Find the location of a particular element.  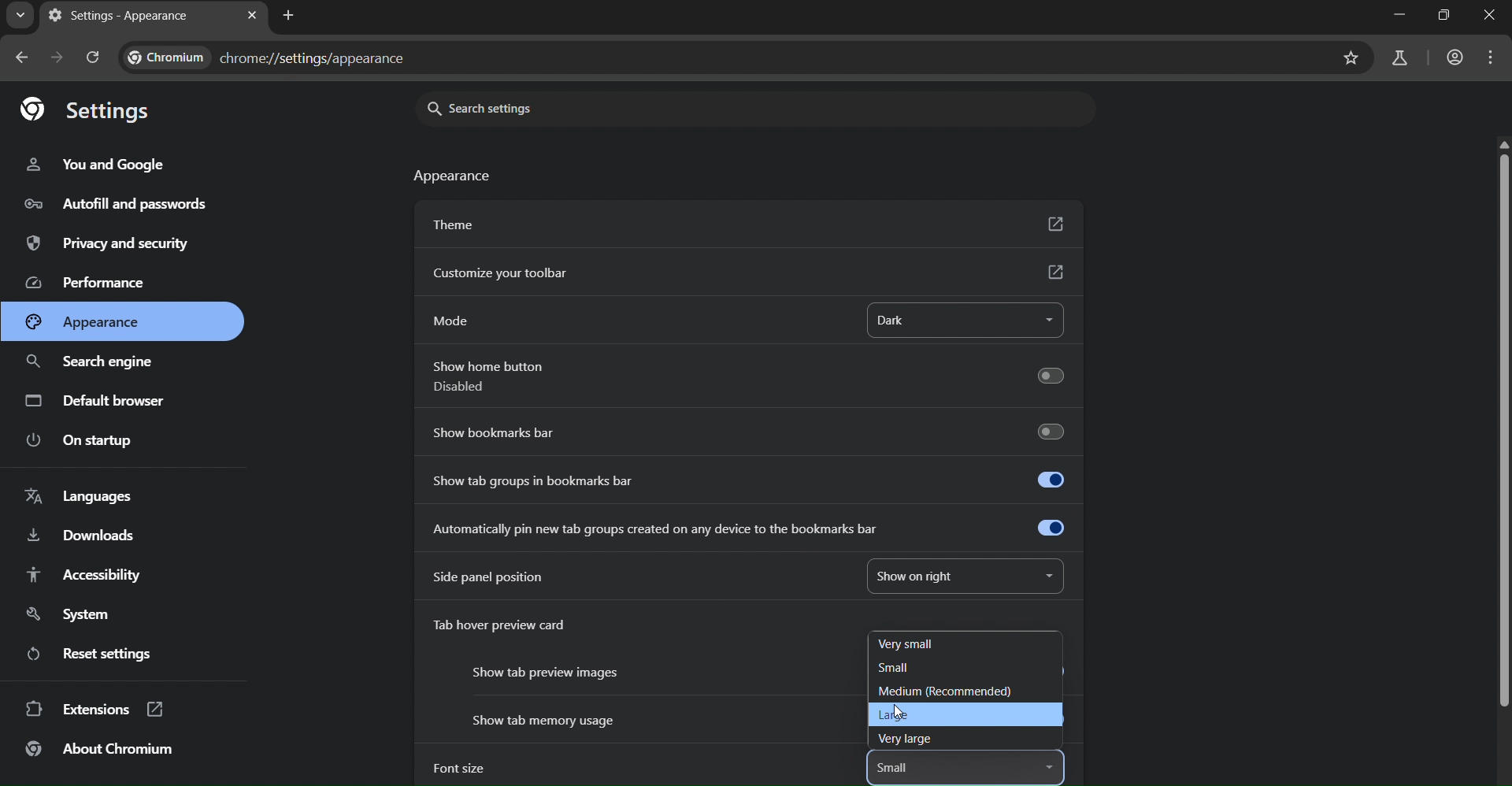

text is located at coordinates (269, 56).